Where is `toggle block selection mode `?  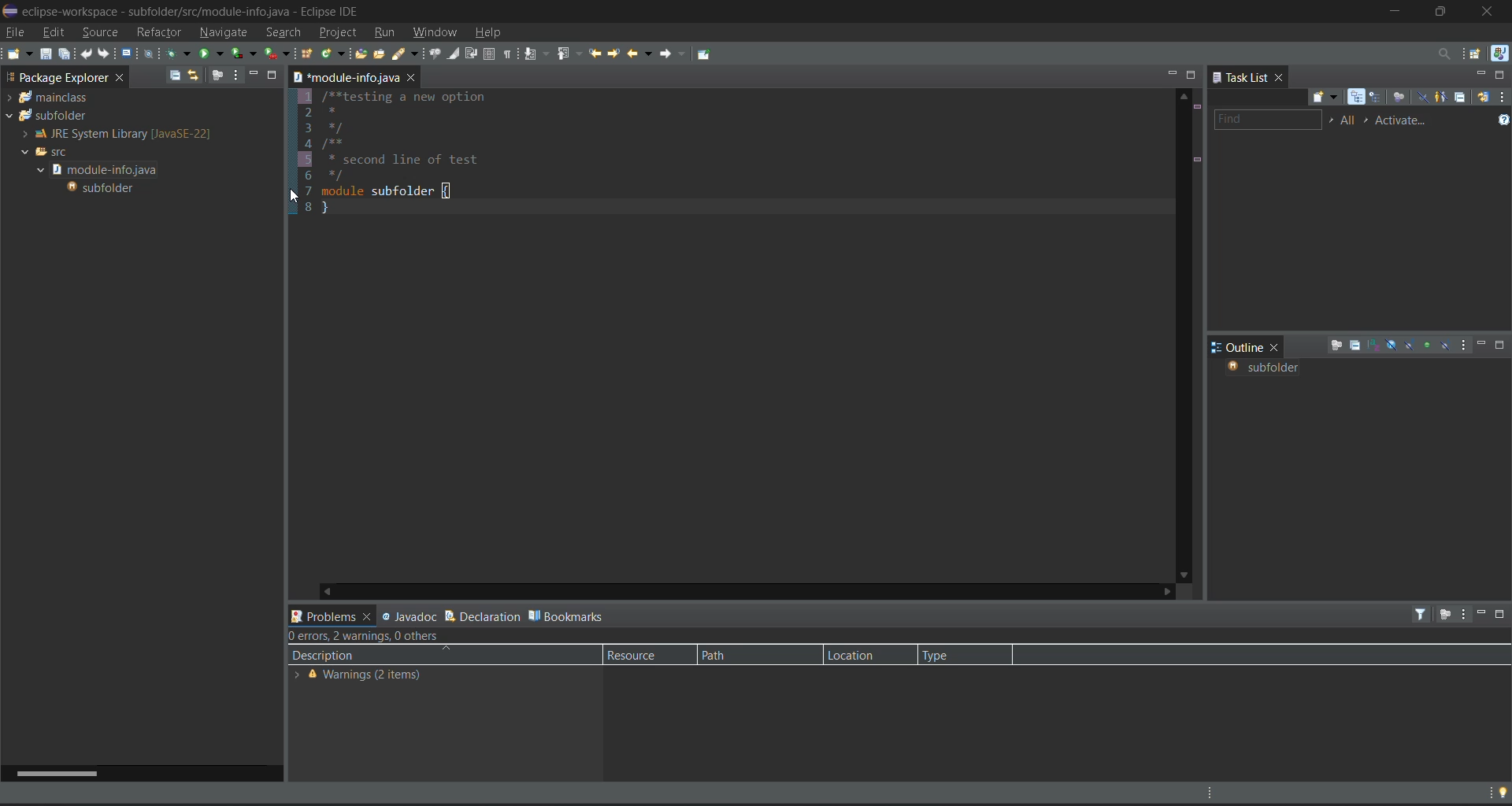 toggle block selection mode  is located at coordinates (489, 54).